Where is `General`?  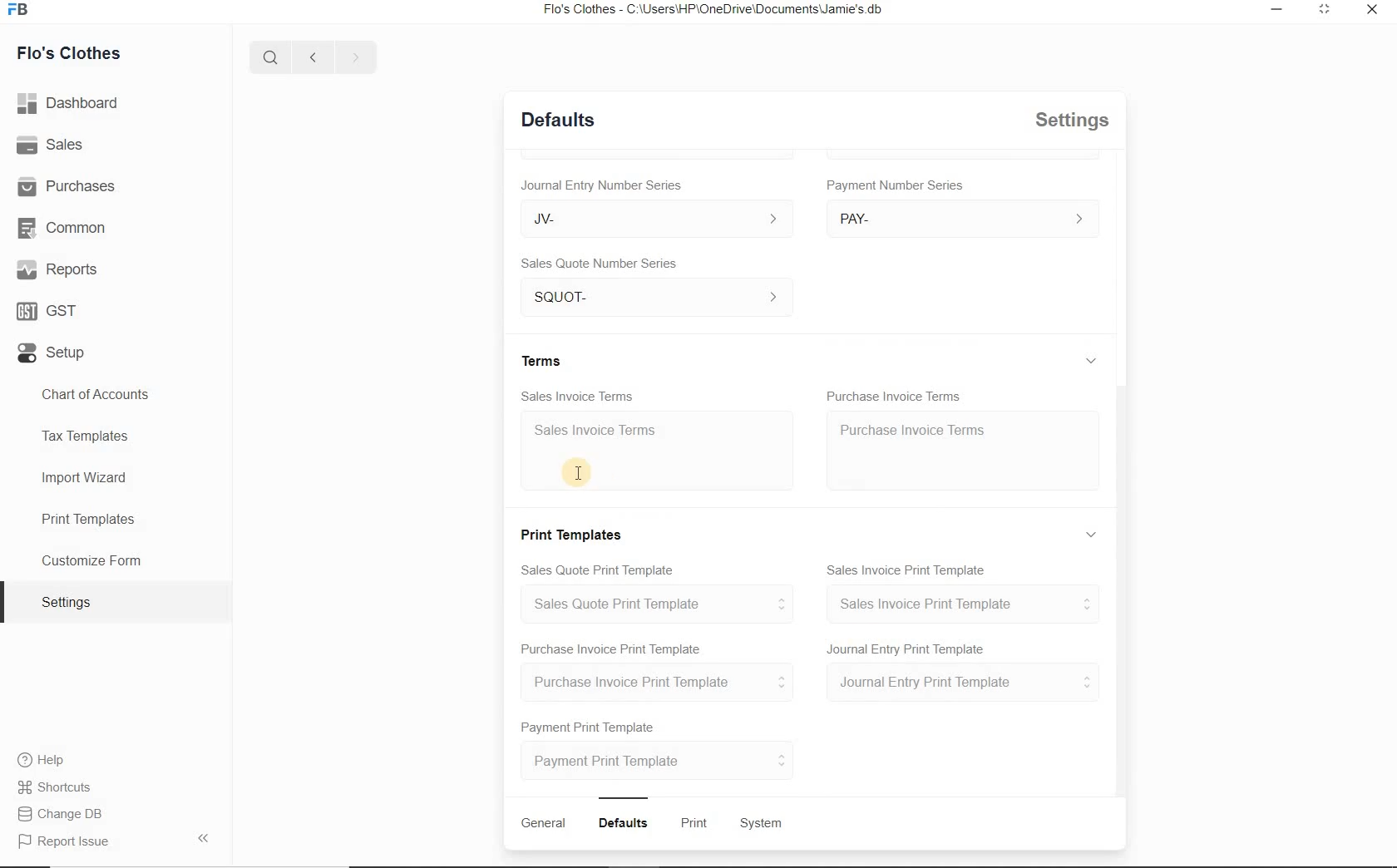 General is located at coordinates (543, 822).